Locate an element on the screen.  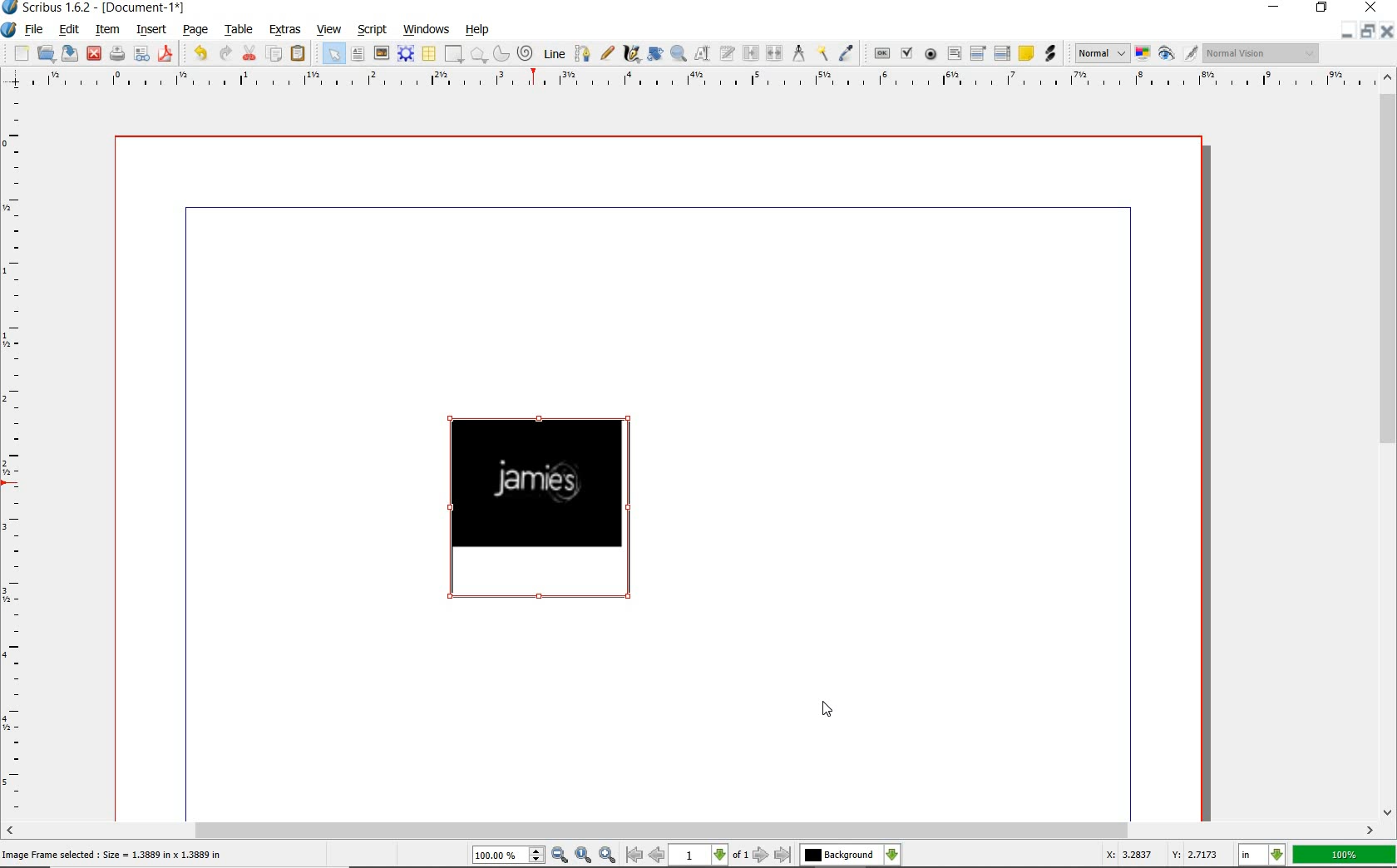
insert is located at coordinates (151, 28).